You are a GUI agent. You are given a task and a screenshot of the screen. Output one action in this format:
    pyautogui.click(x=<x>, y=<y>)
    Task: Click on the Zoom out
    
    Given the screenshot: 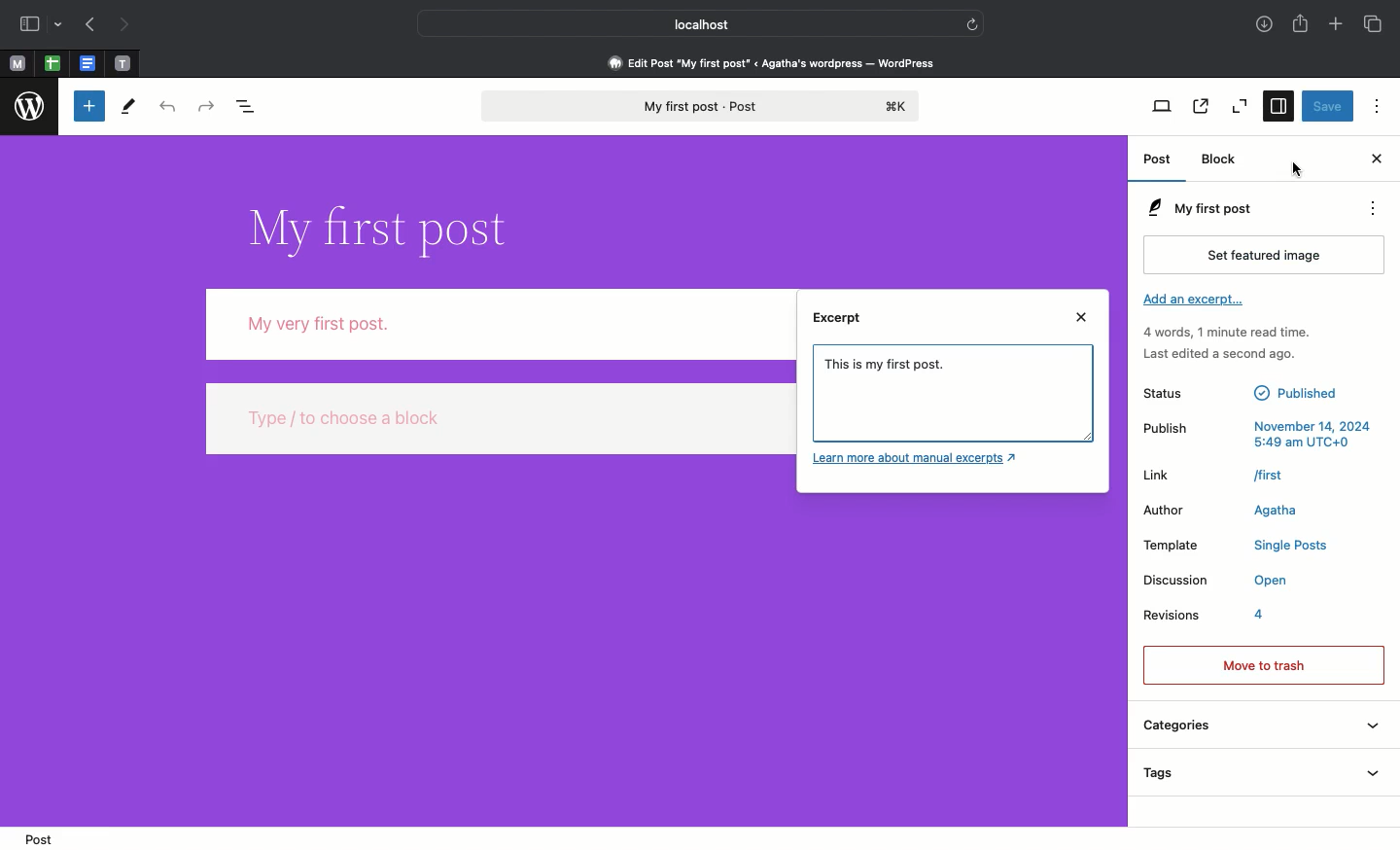 What is the action you would take?
    pyautogui.click(x=1241, y=108)
    